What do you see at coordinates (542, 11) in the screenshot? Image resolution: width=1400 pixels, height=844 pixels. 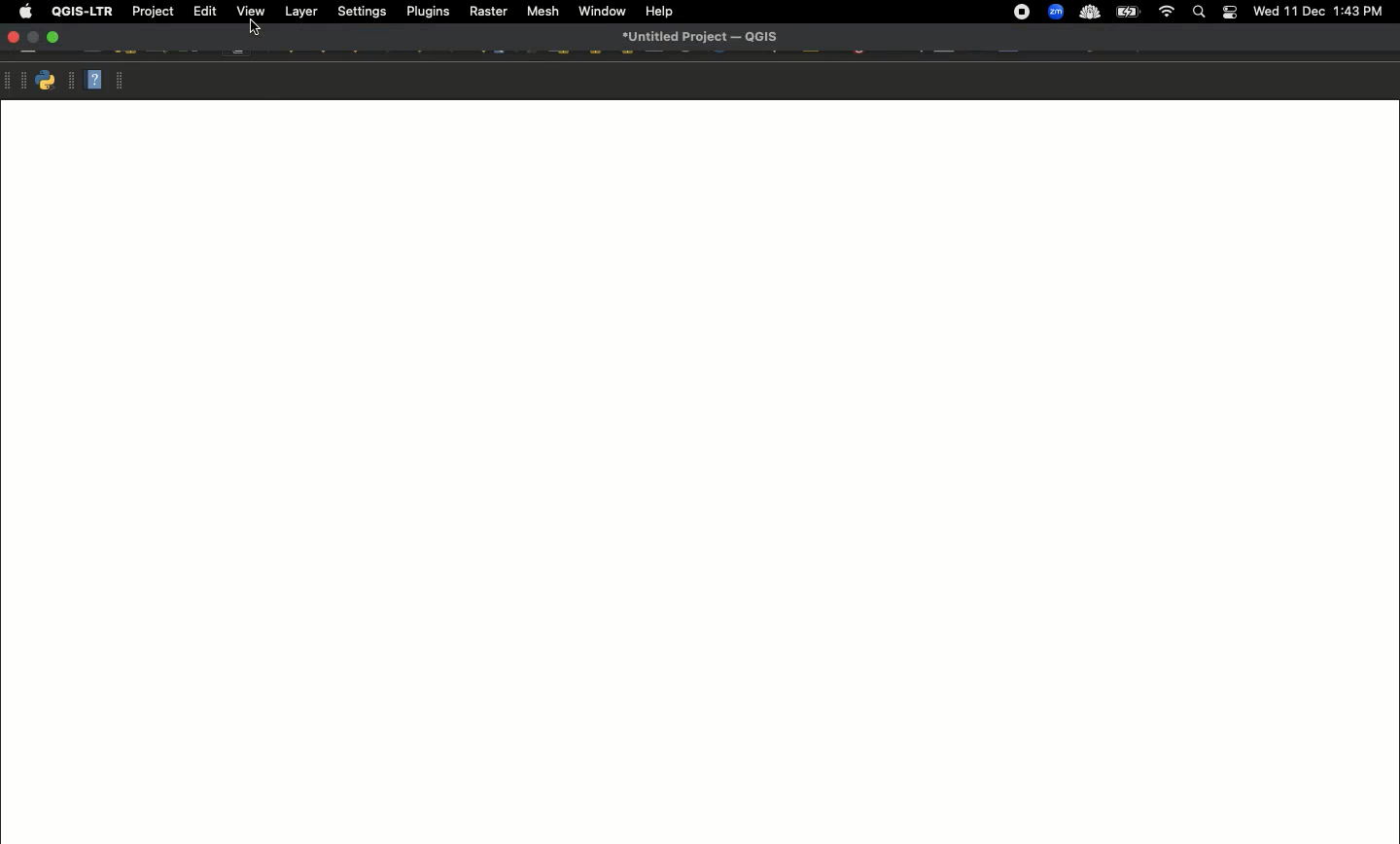 I see `Mesh` at bounding box center [542, 11].